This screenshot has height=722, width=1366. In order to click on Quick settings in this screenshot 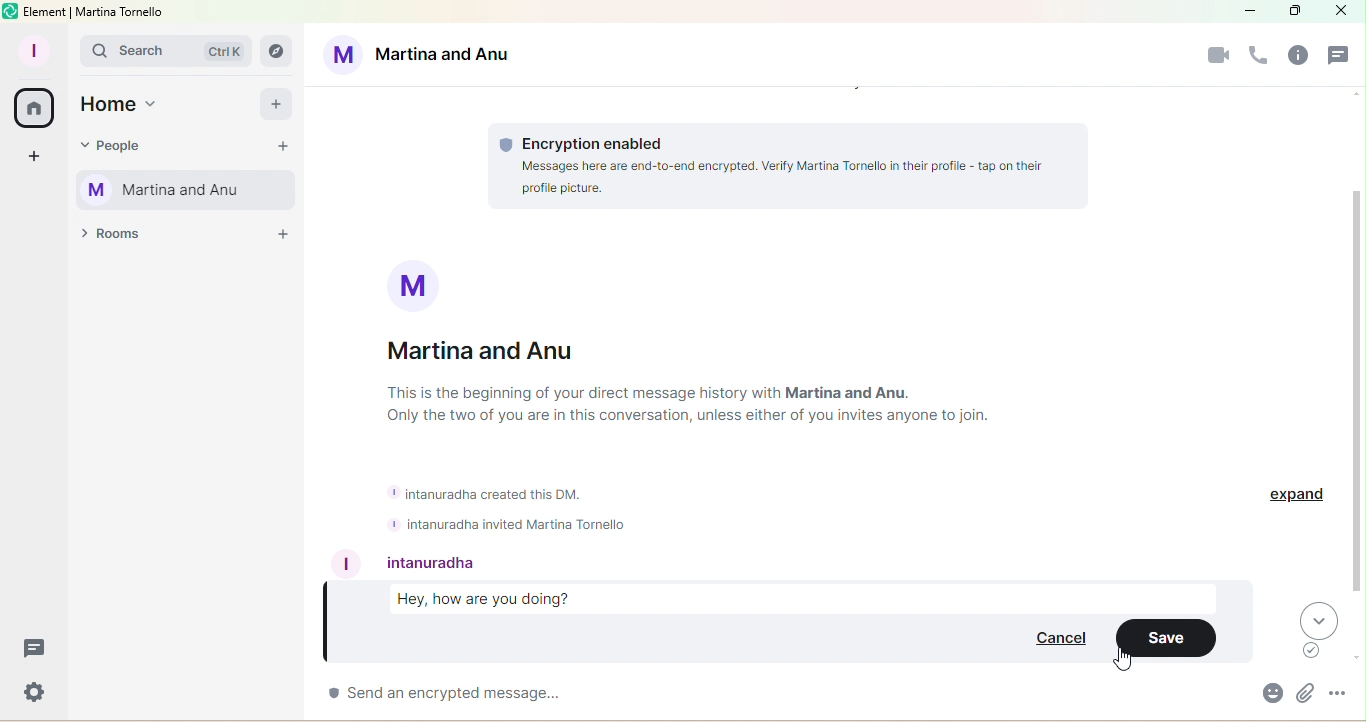, I will do `click(30, 695)`.